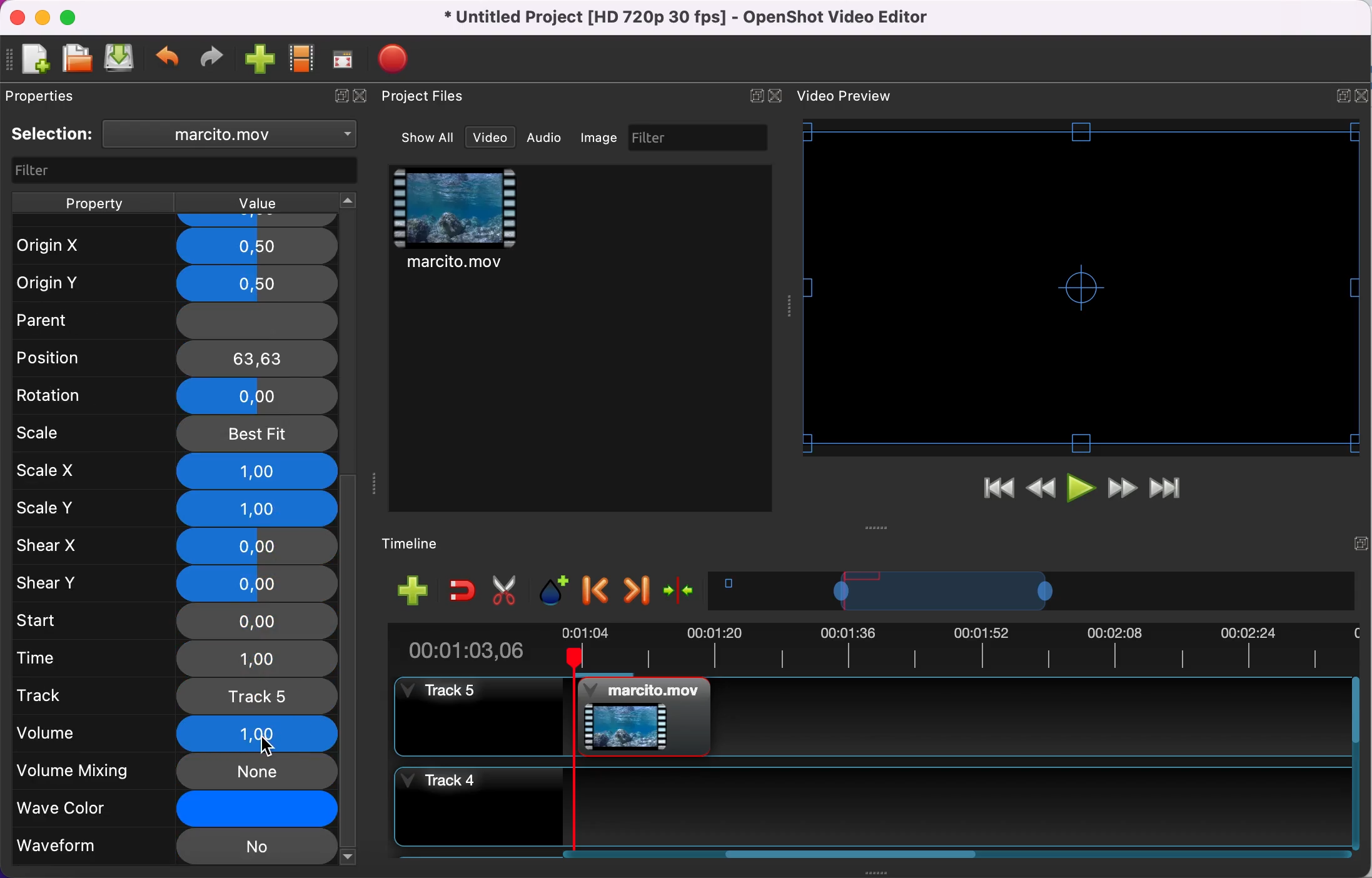 This screenshot has width=1372, height=878. What do you see at coordinates (638, 590) in the screenshot?
I see `next marker` at bounding box center [638, 590].